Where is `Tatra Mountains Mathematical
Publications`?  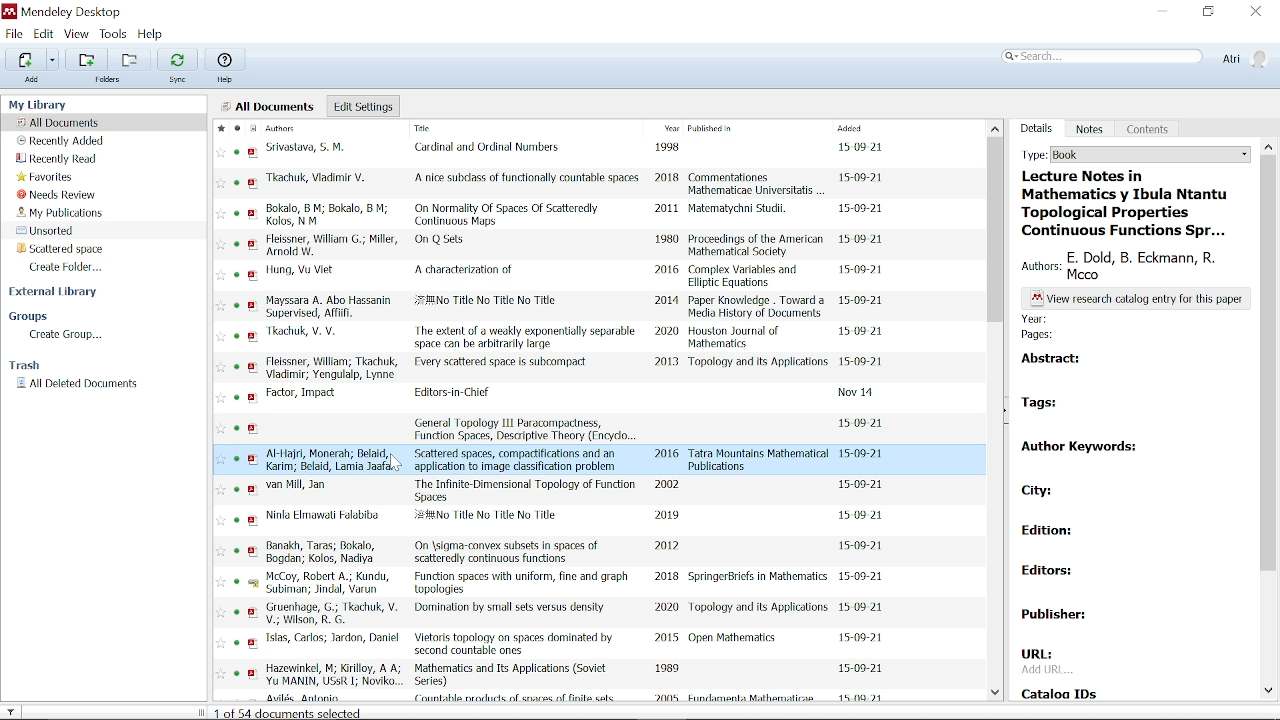
Tatra Mountains Mathematical
Publications is located at coordinates (760, 460).